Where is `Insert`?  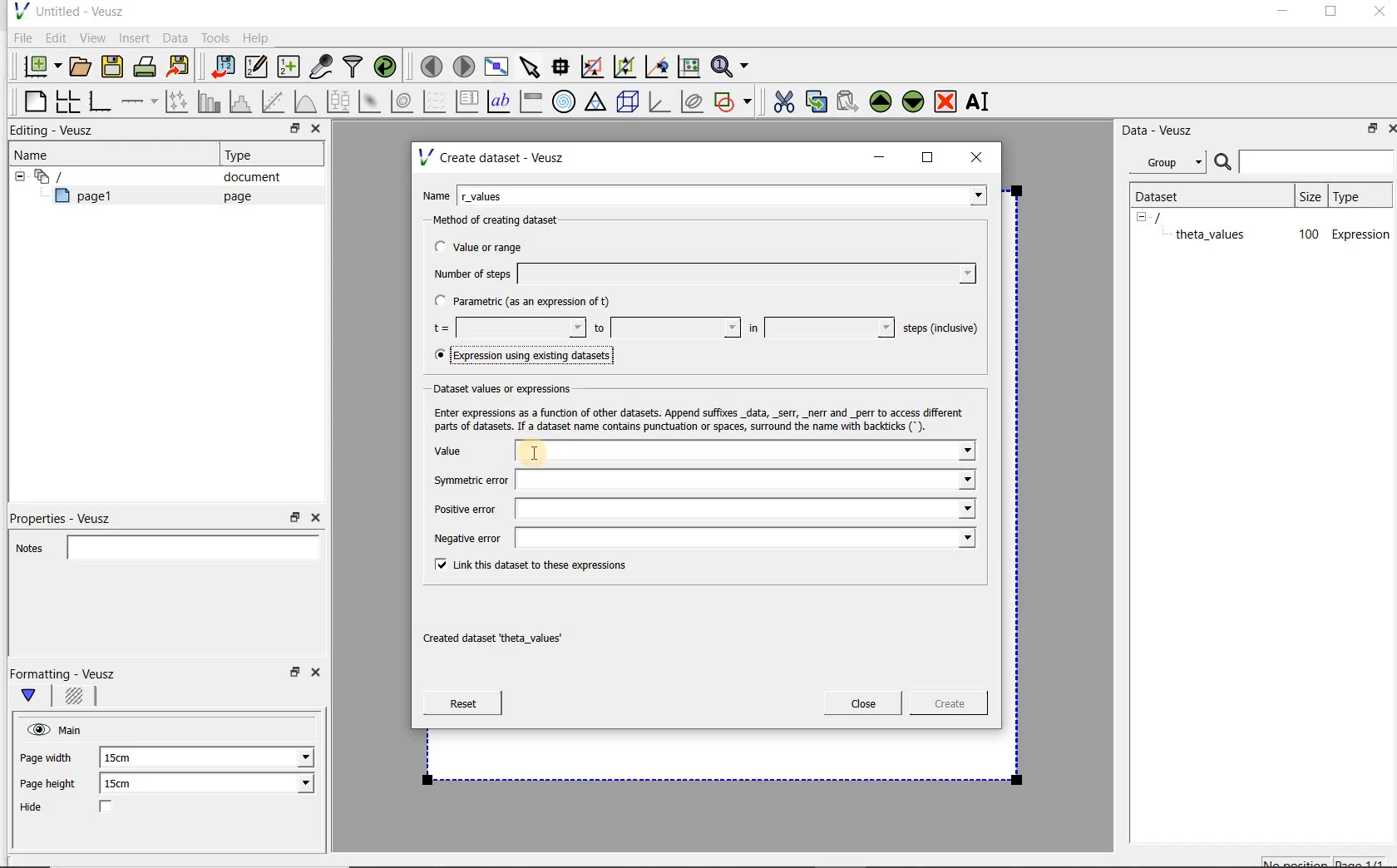
Insert is located at coordinates (136, 37).